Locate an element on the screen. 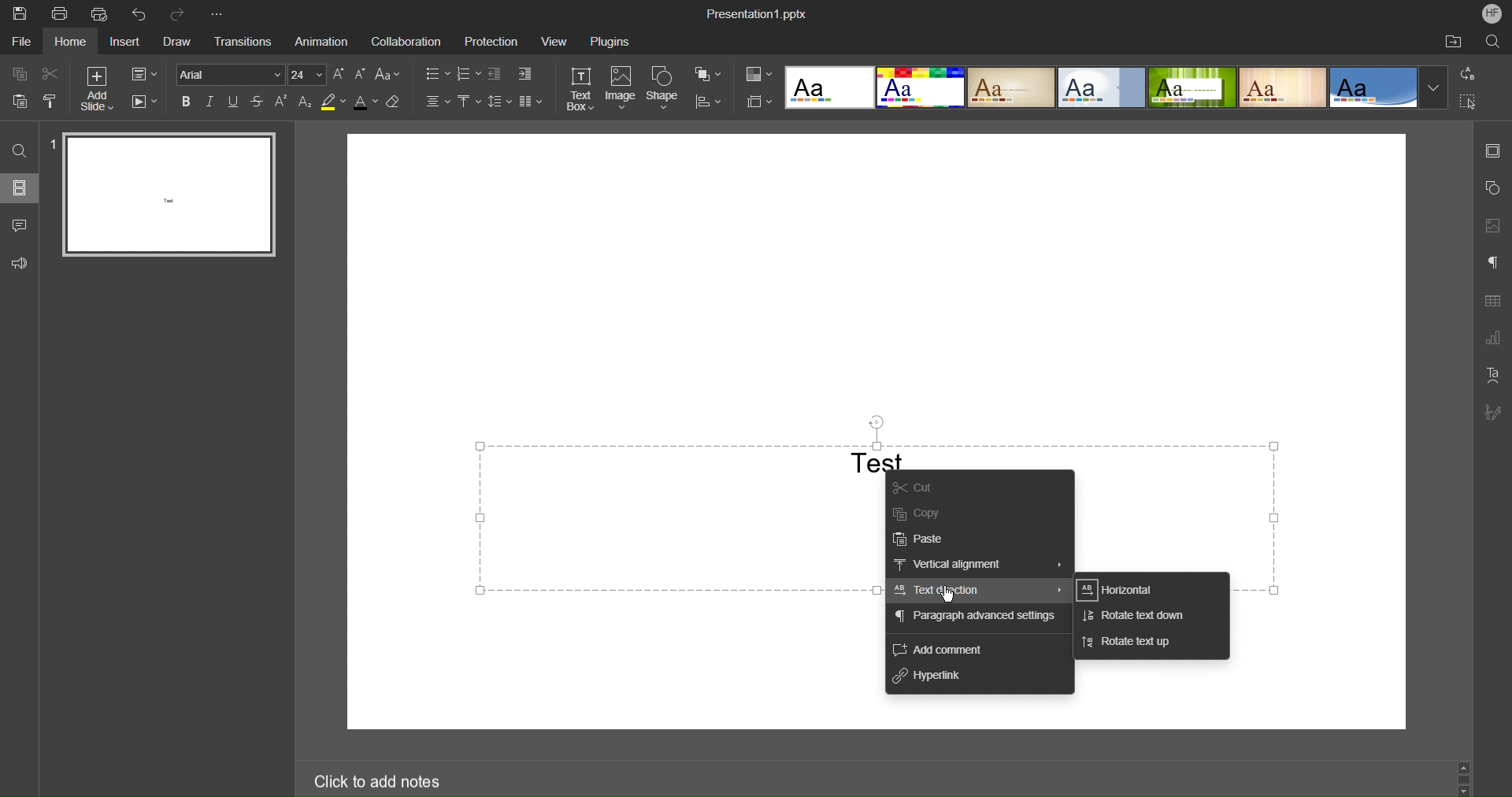 This screenshot has width=1512, height=797. Decrease indent is located at coordinates (495, 74).